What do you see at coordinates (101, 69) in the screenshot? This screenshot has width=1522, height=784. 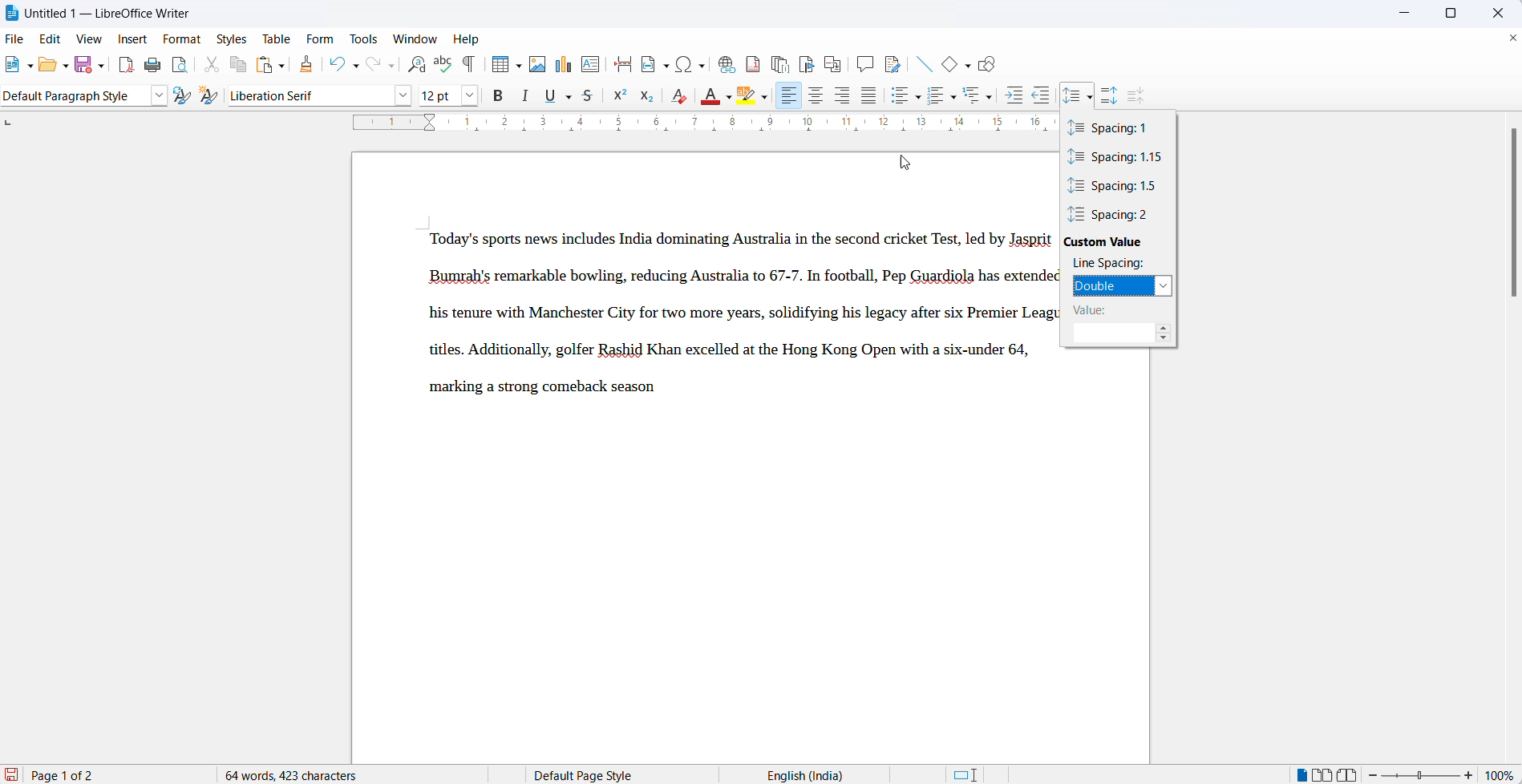 I see `save options` at bounding box center [101, 69].